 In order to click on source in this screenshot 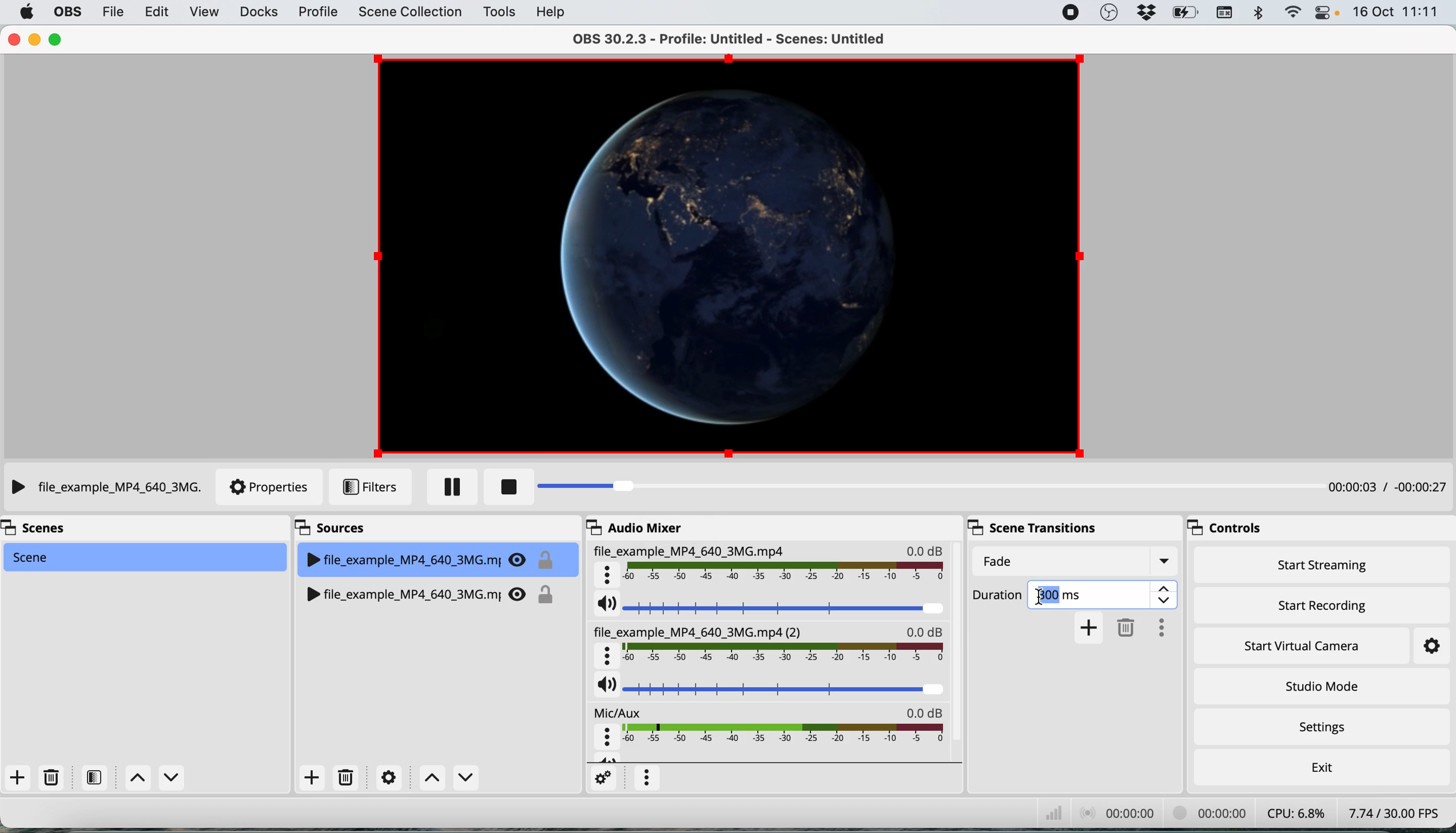, I will do `click(435, 591)`.